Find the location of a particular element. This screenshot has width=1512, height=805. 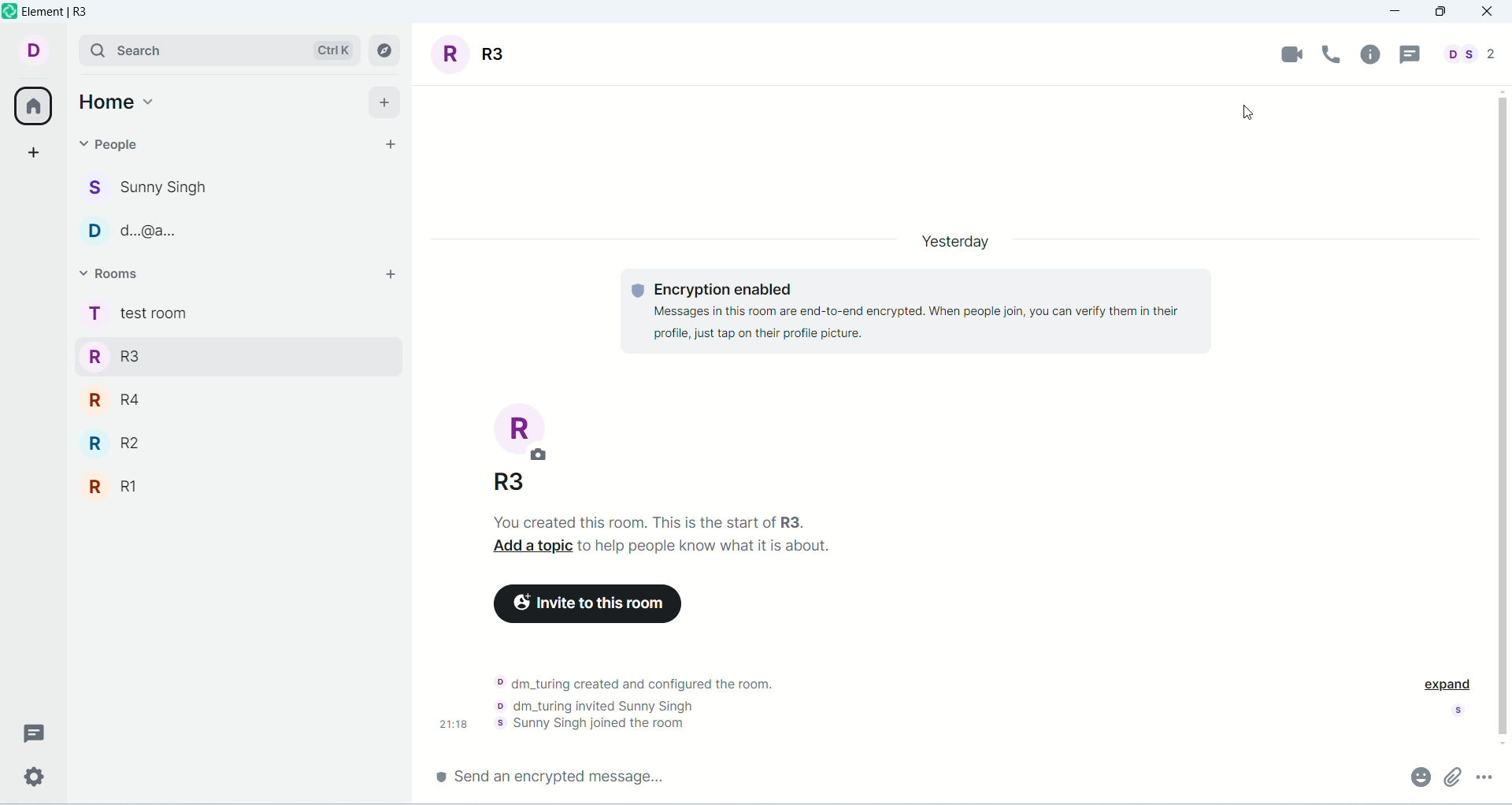

account is located at coordinates (44, 51).